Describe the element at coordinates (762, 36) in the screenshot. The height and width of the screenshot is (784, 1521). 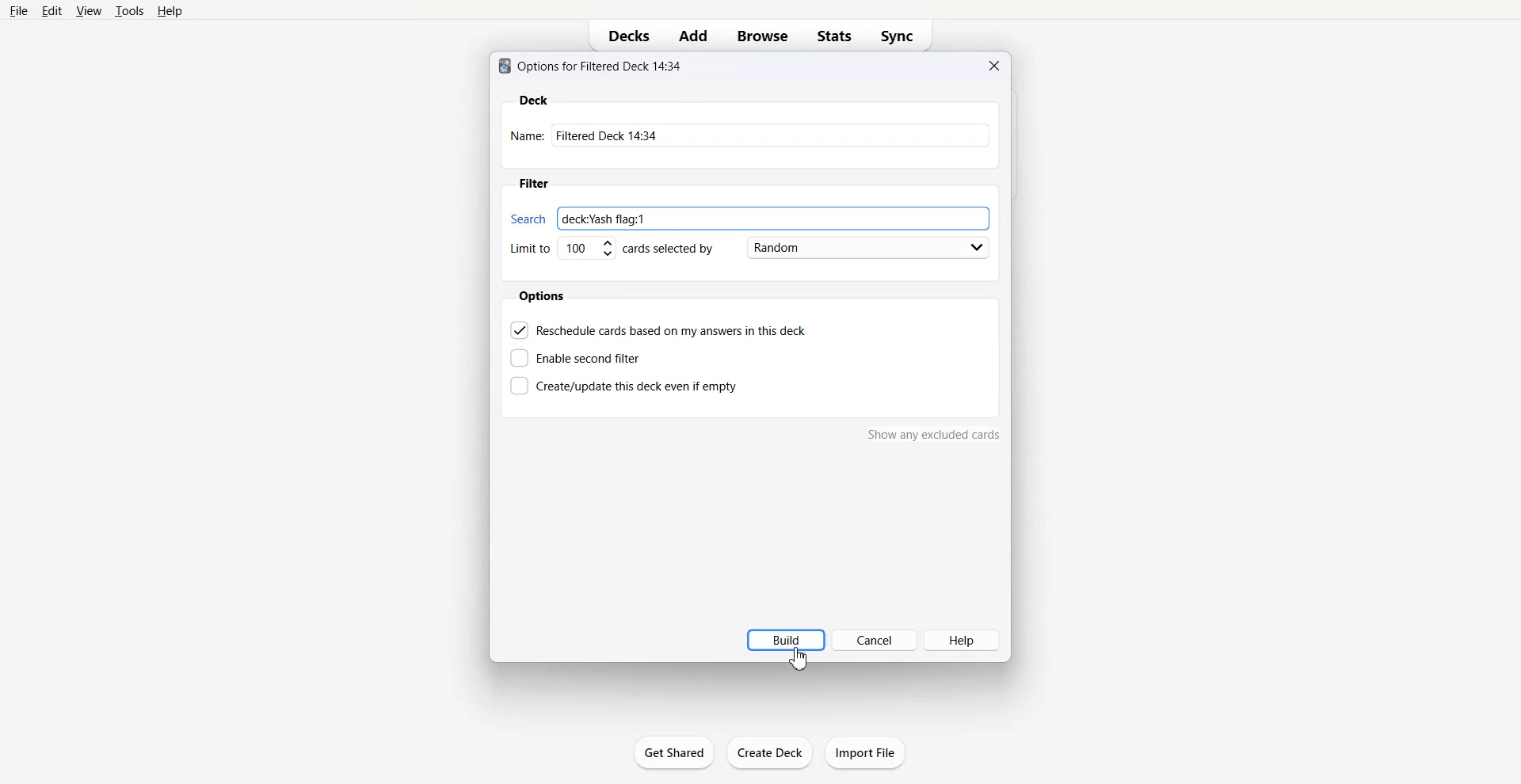
I see `Browse` at that location.